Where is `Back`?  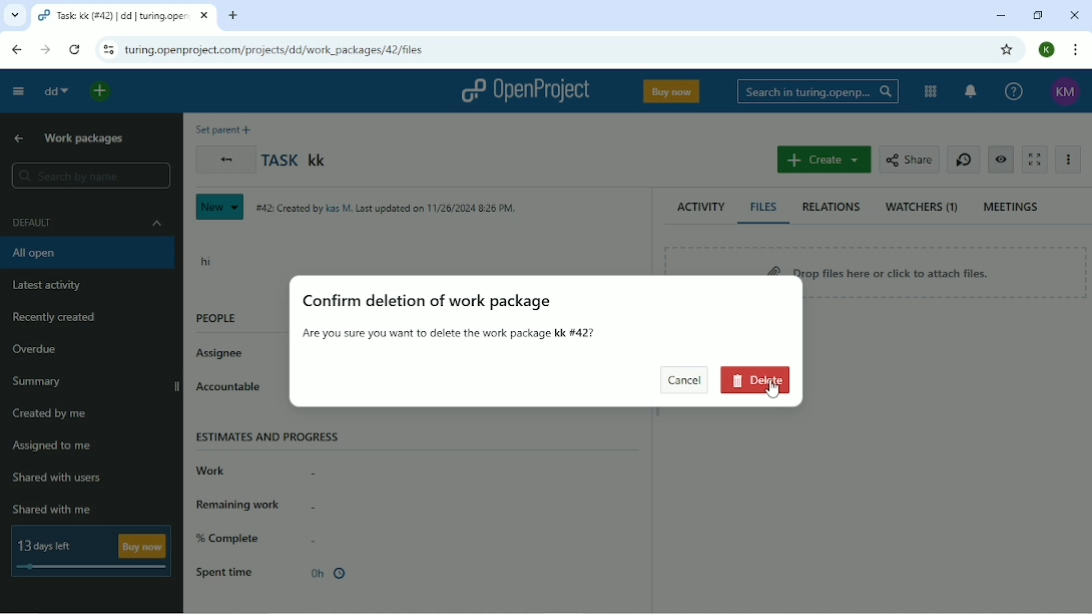 Back is located at coordinates (16, 49).